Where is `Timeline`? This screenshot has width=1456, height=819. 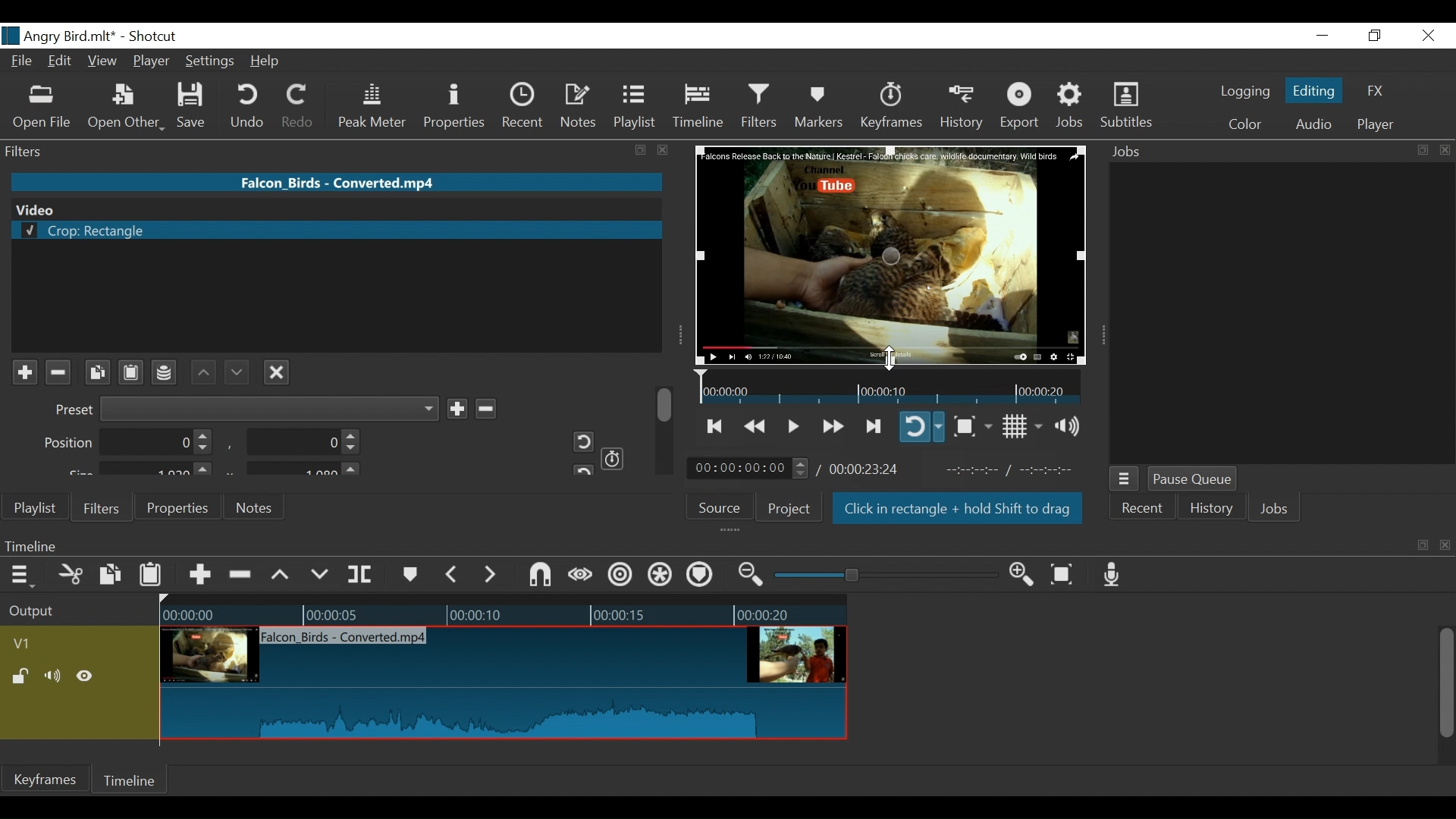 Timeline is located at coordinates (699, 106).